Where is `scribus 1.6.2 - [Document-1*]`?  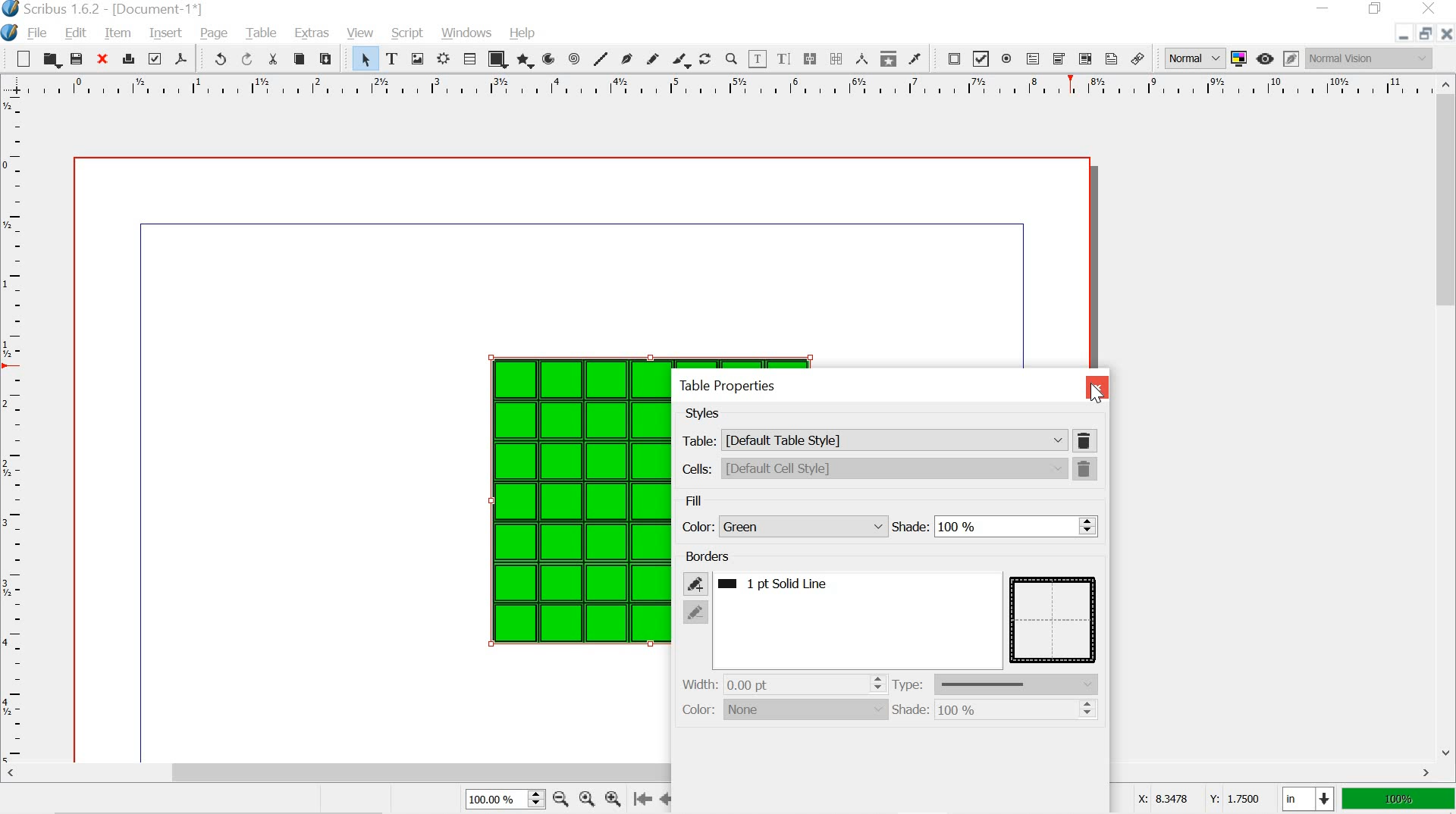
scribus 1.6.2 - [Document-1*] is located at coordinates (111, 9).